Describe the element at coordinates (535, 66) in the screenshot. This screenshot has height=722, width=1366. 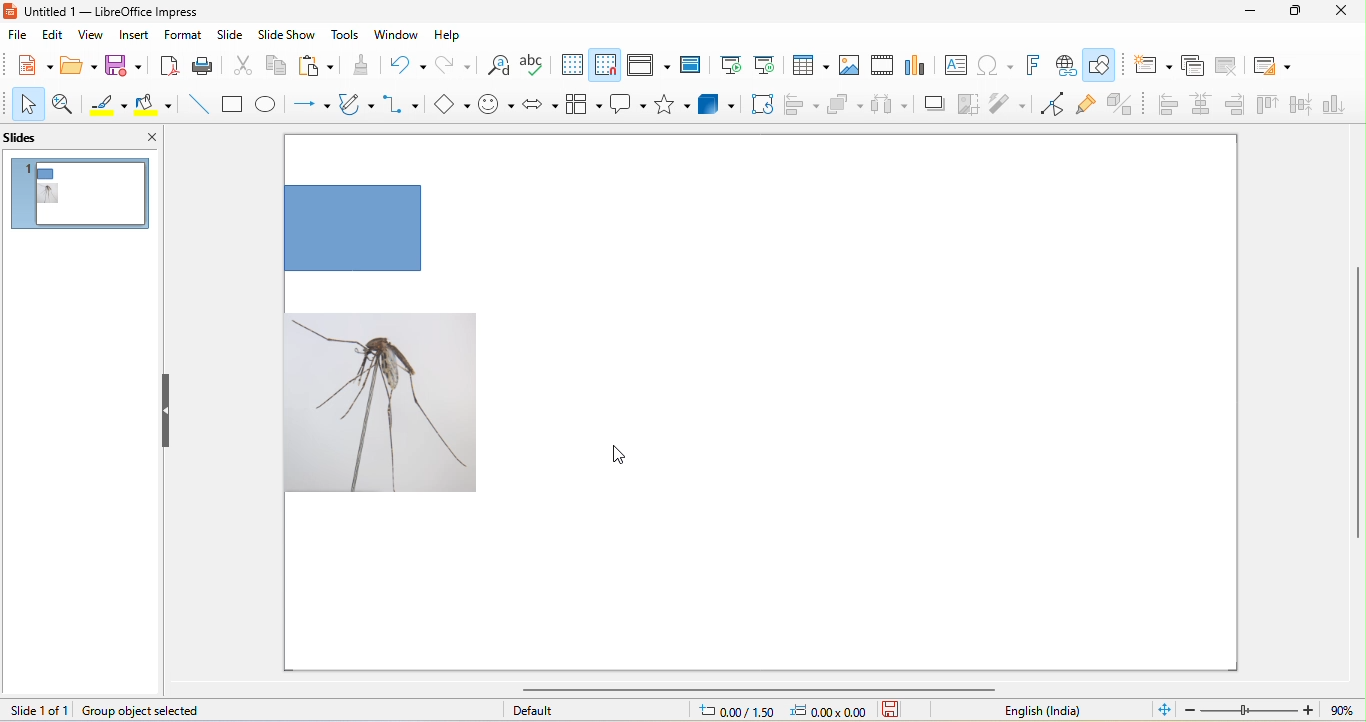
I see `spelling` at that location.